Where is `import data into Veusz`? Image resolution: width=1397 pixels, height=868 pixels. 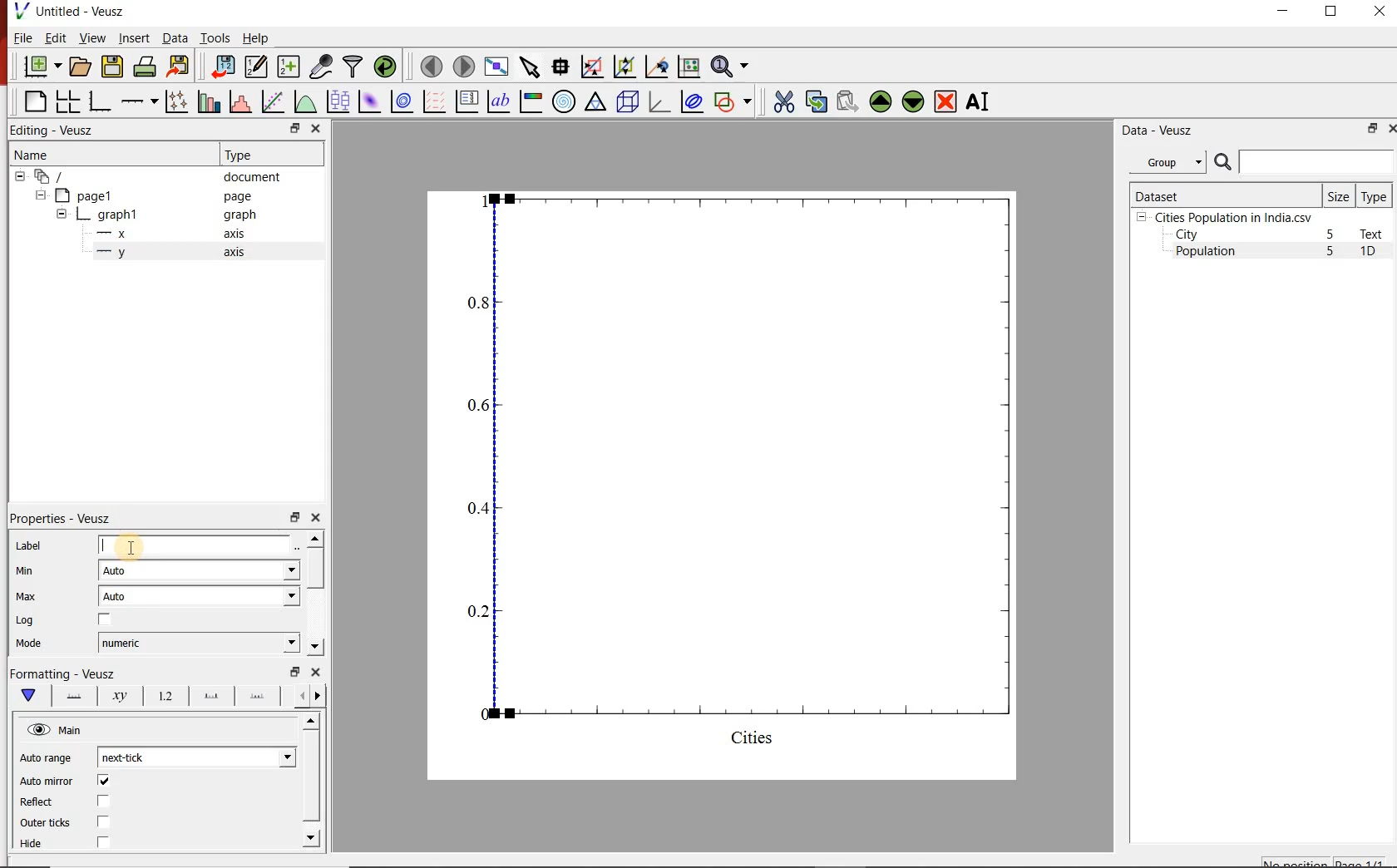
import data into Veusz is located at coordinates (222, 66).